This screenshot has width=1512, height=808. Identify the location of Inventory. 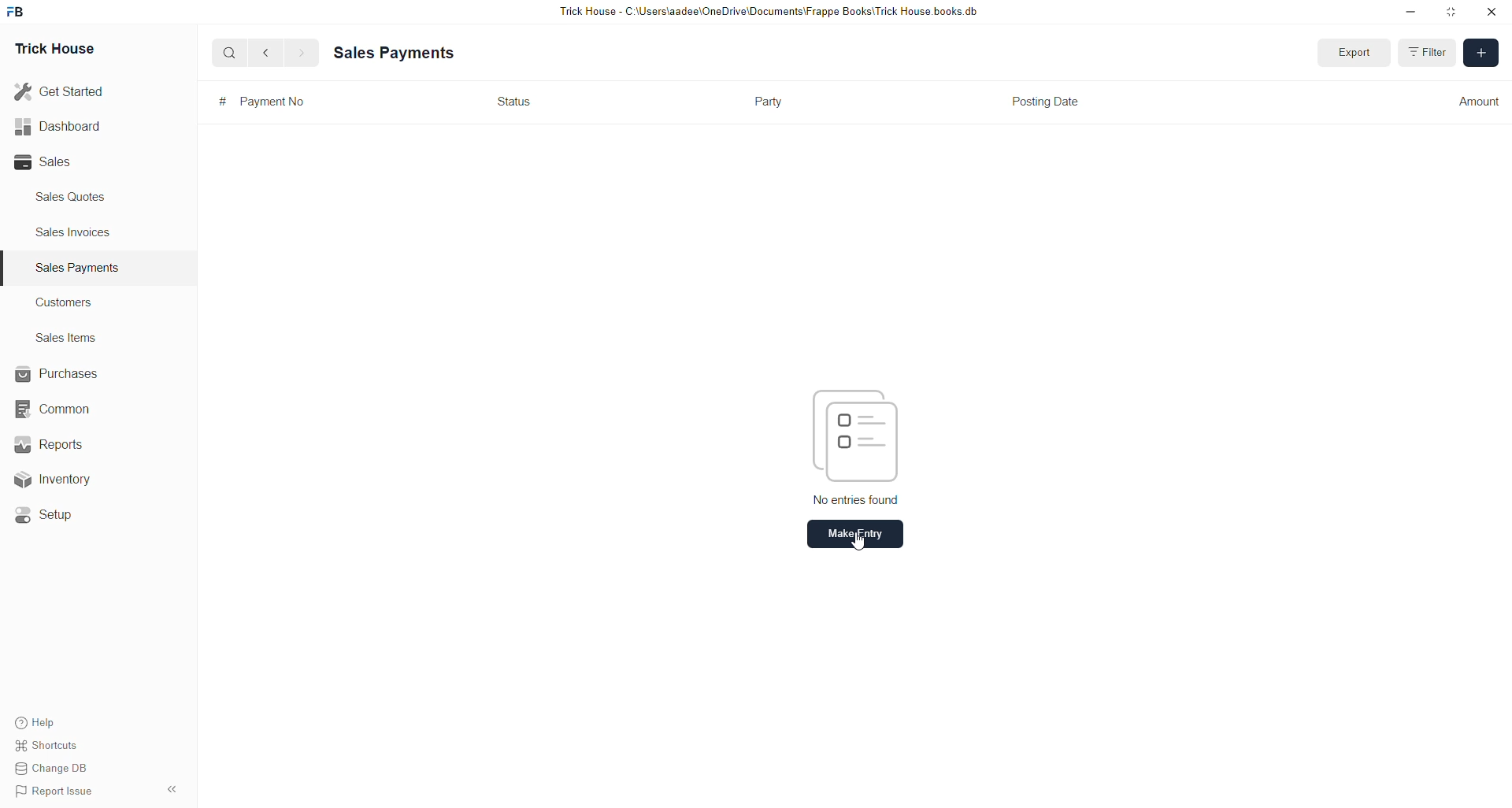
(71, 478).